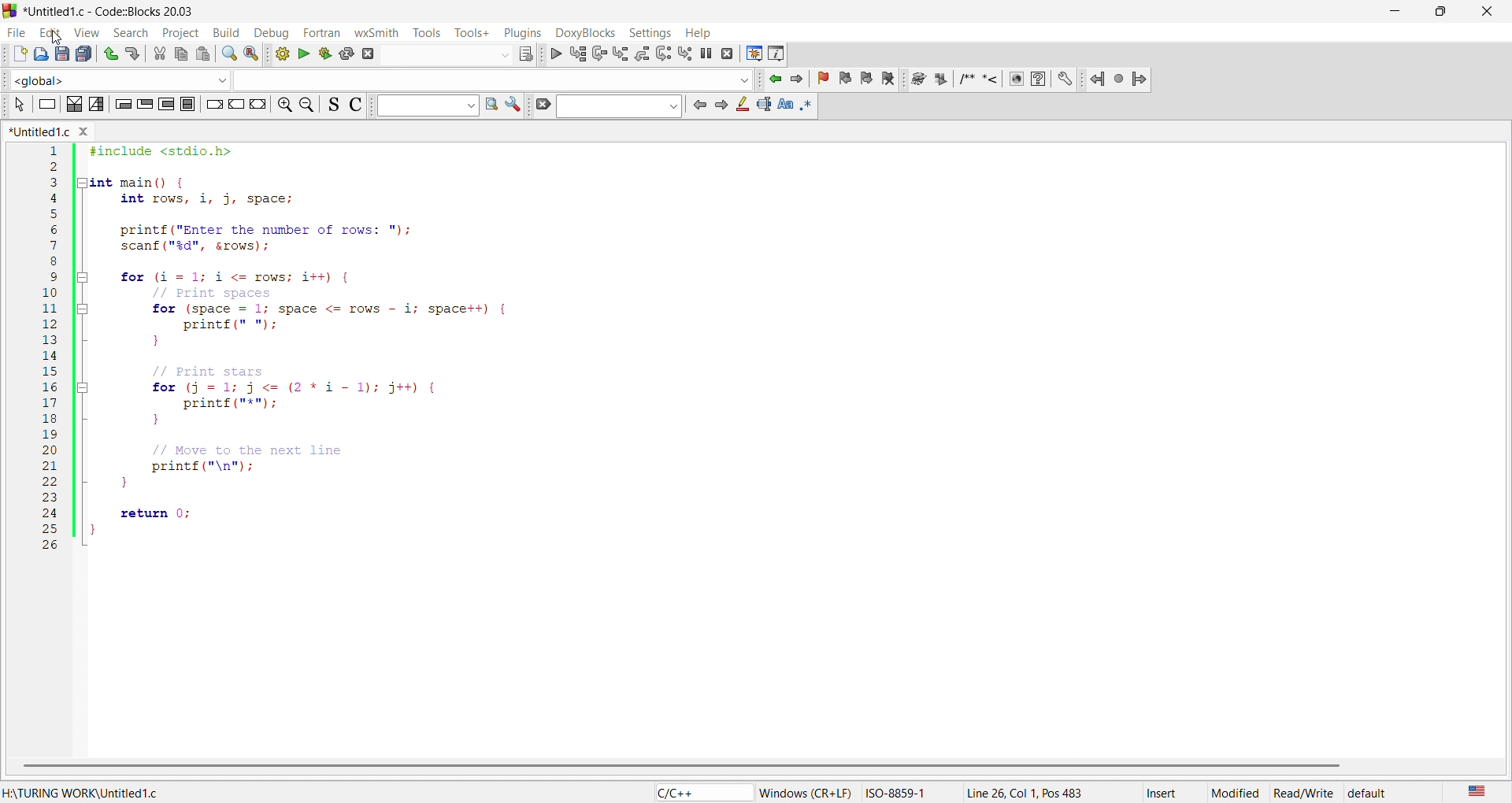  What do you see at coordinates (514, 108) in the screenshot?
I see `icon` at bounding box center [514, 108].